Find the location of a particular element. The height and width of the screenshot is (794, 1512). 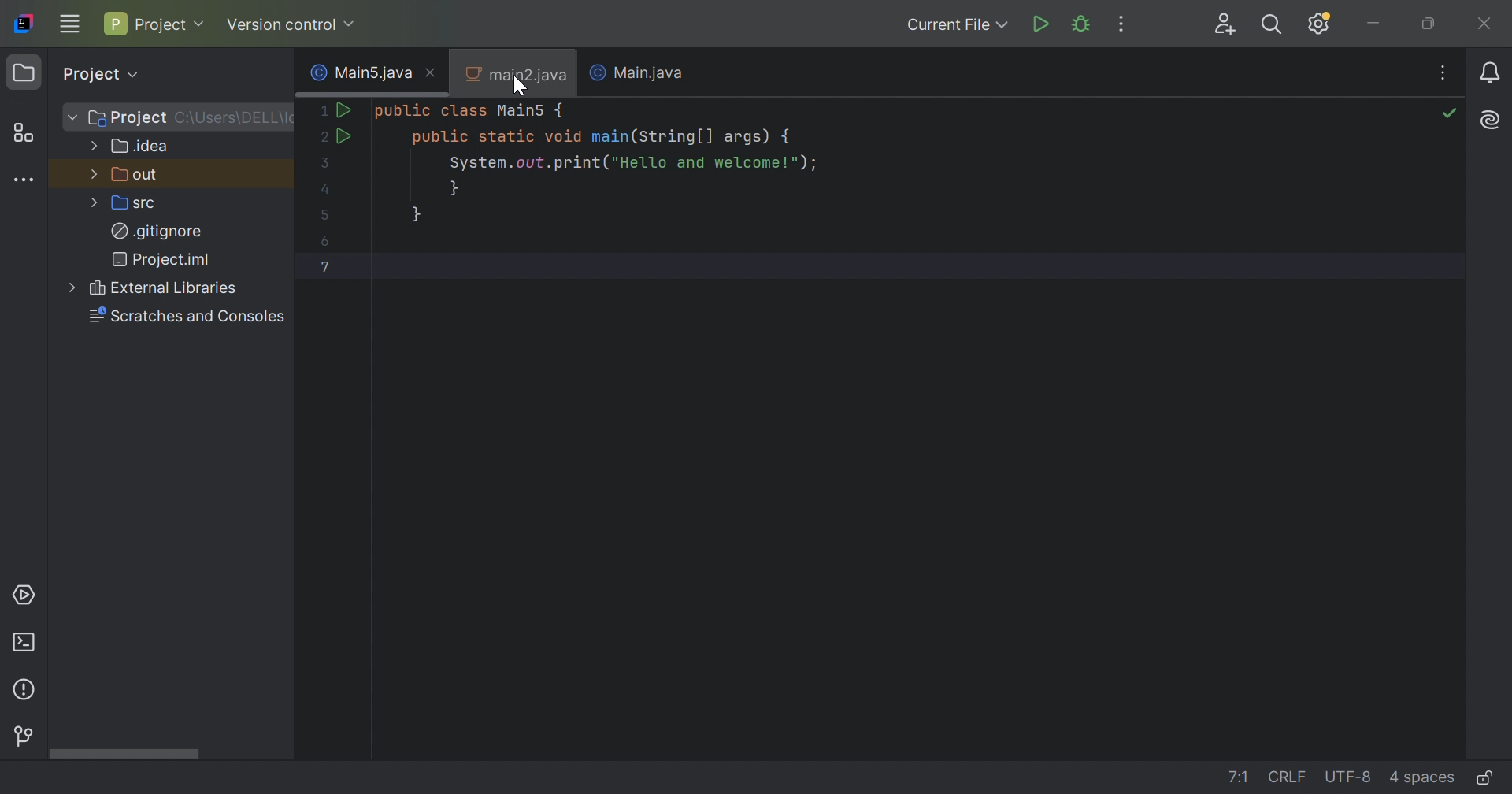

Run is located at coordinates (346, 136).